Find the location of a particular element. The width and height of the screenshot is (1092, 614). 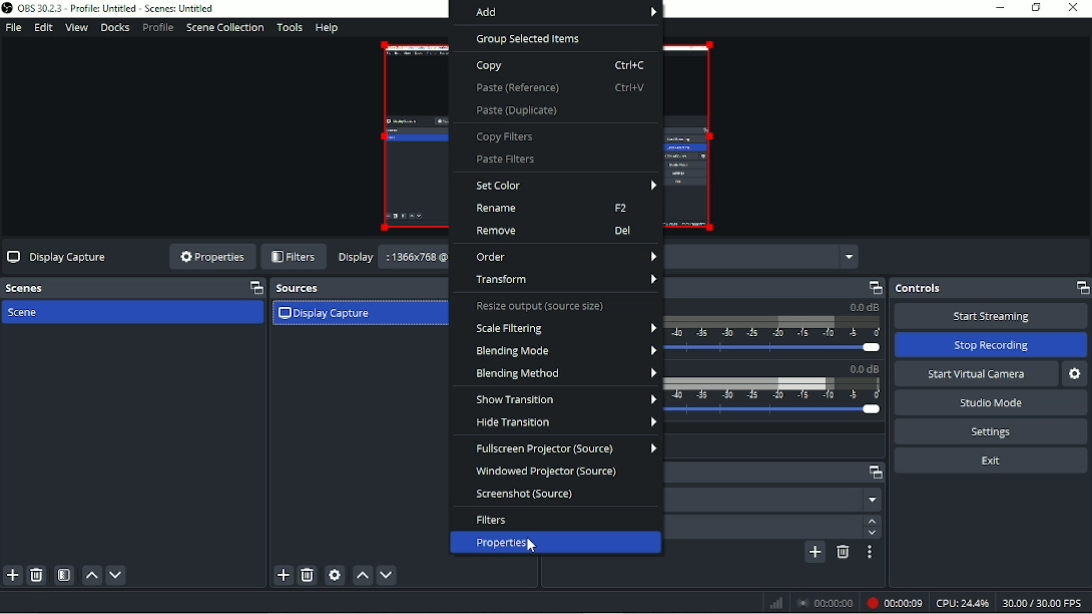

Help is located at coordinates (327, 27).